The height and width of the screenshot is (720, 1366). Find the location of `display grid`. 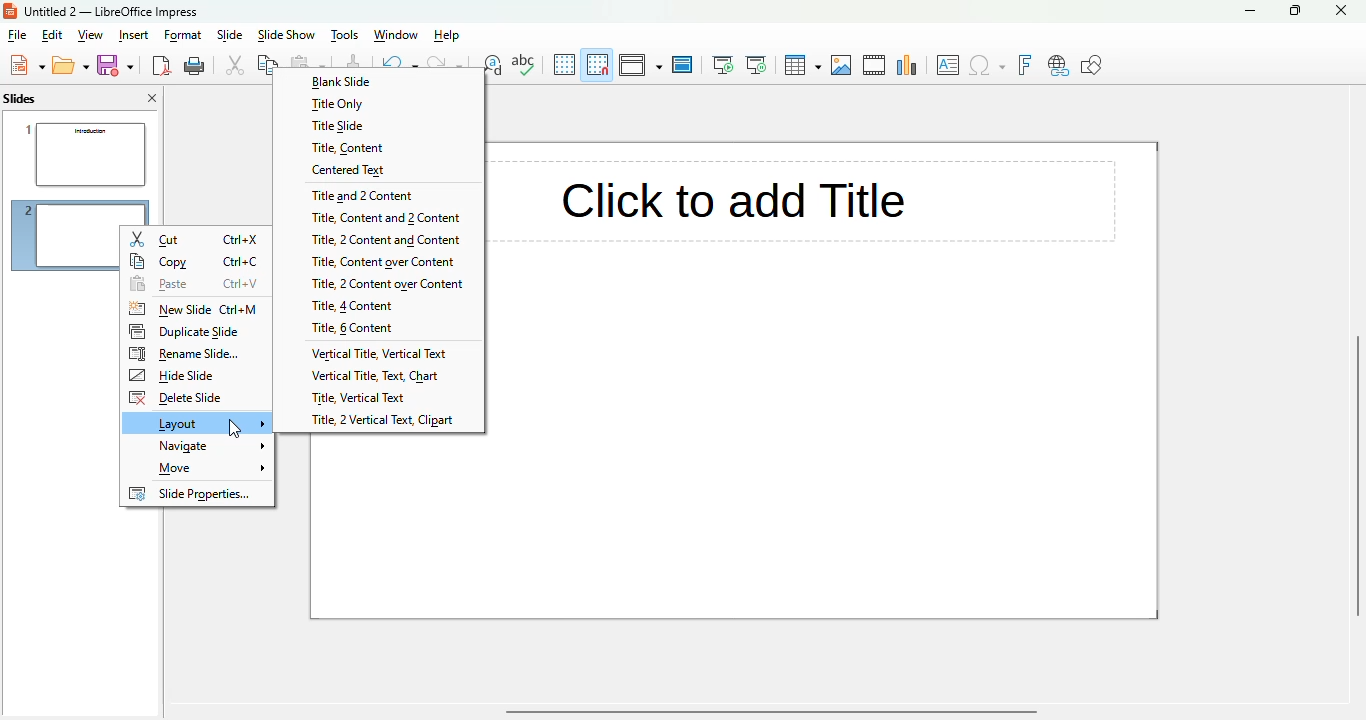

display grid is located at coordinates (564, 64).